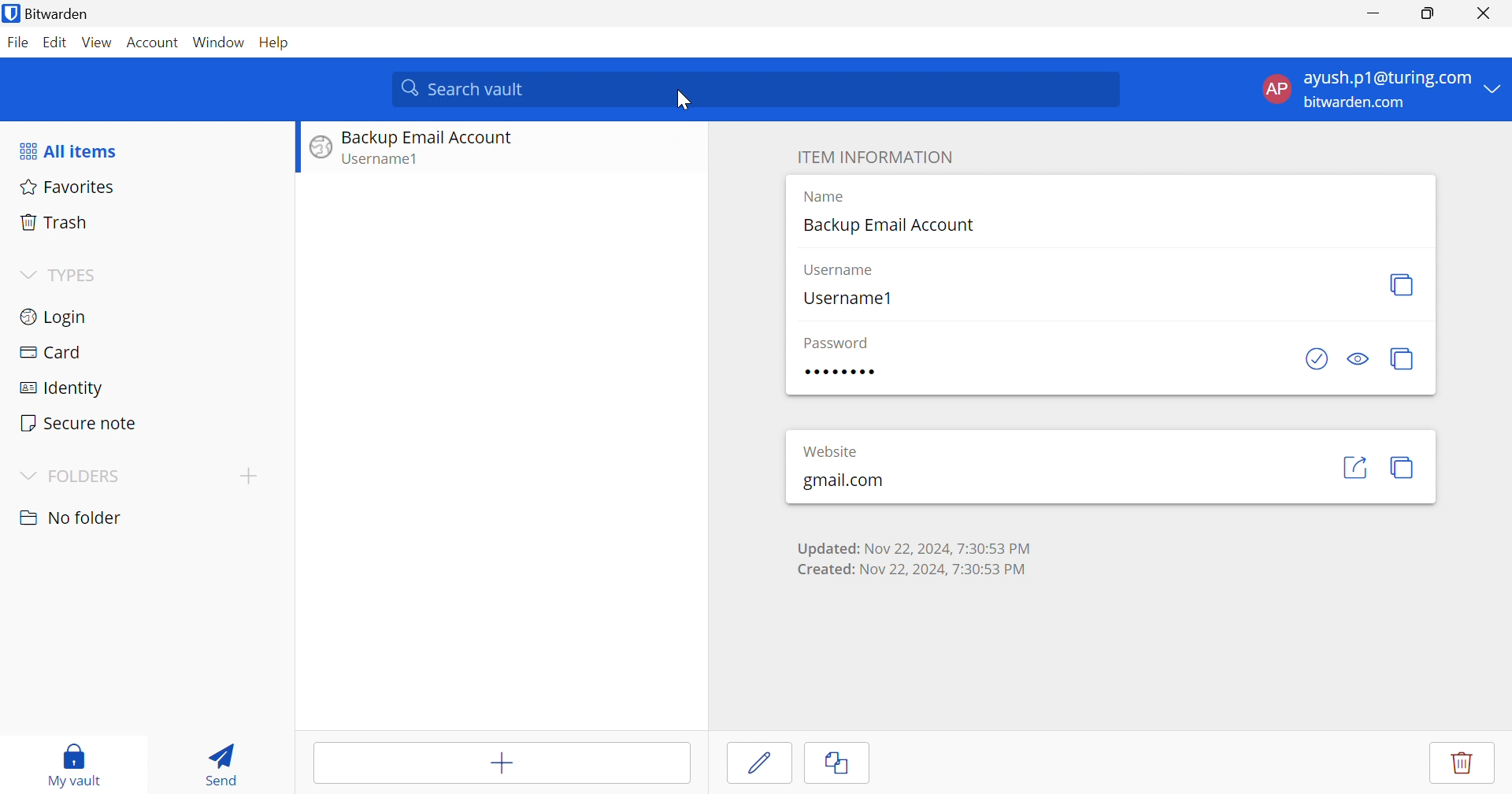  What do you see at coordinates (272, 42) in the screenshot?
I see `Help` at bounding box center [272, 42].